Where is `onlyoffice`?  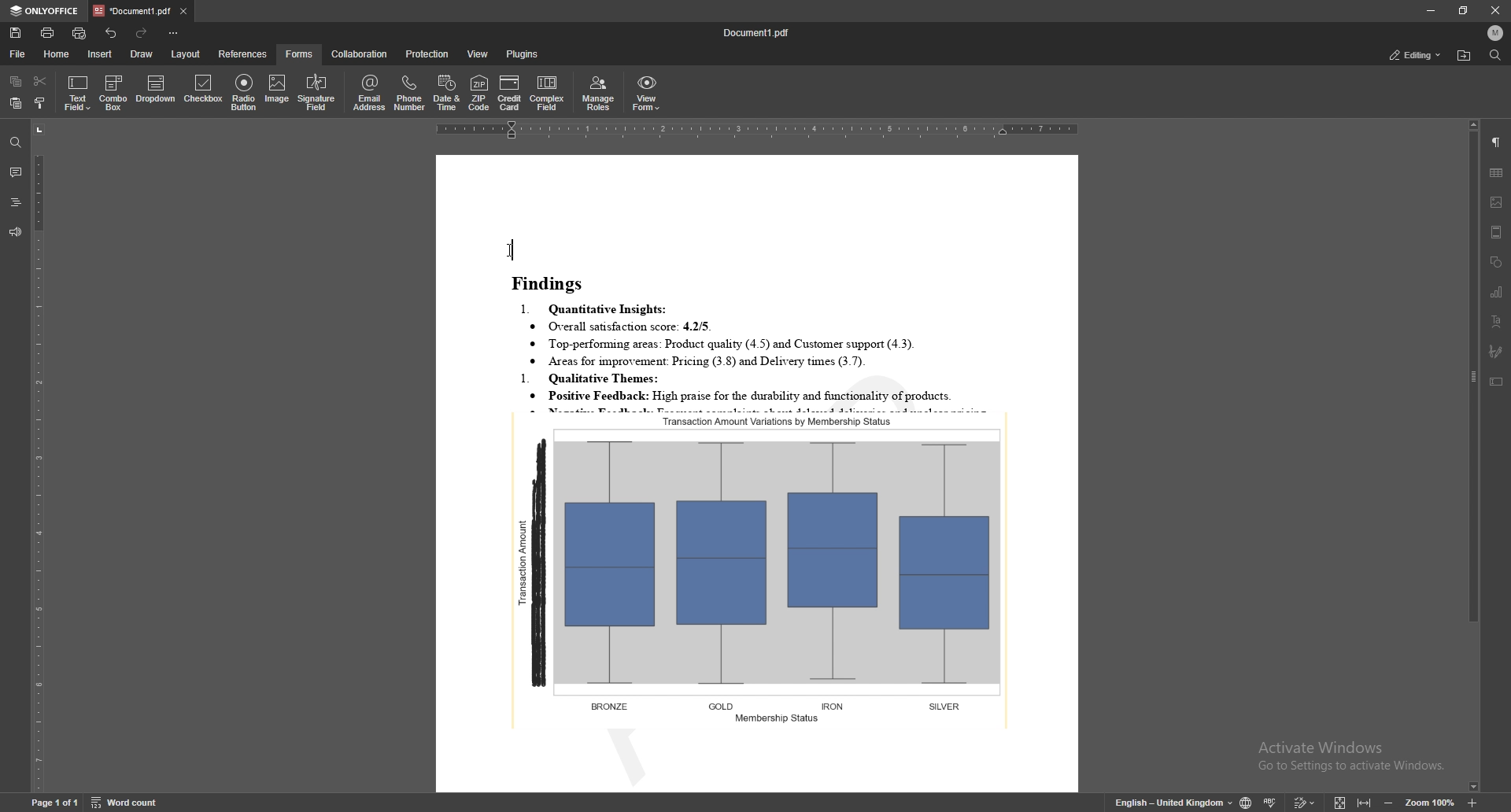
onlyoffice is located at coordinates (45, 12).